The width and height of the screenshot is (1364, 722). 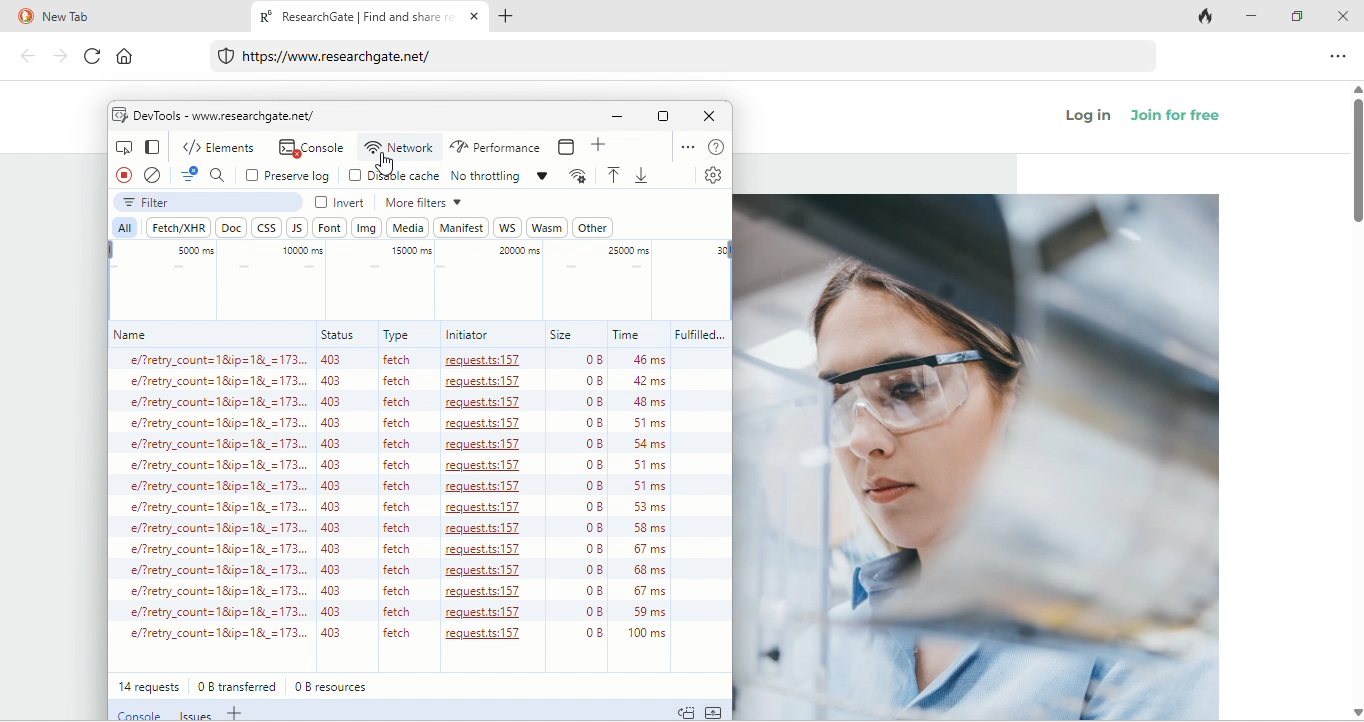 I want to click on forward, so click(x=58, y=56).